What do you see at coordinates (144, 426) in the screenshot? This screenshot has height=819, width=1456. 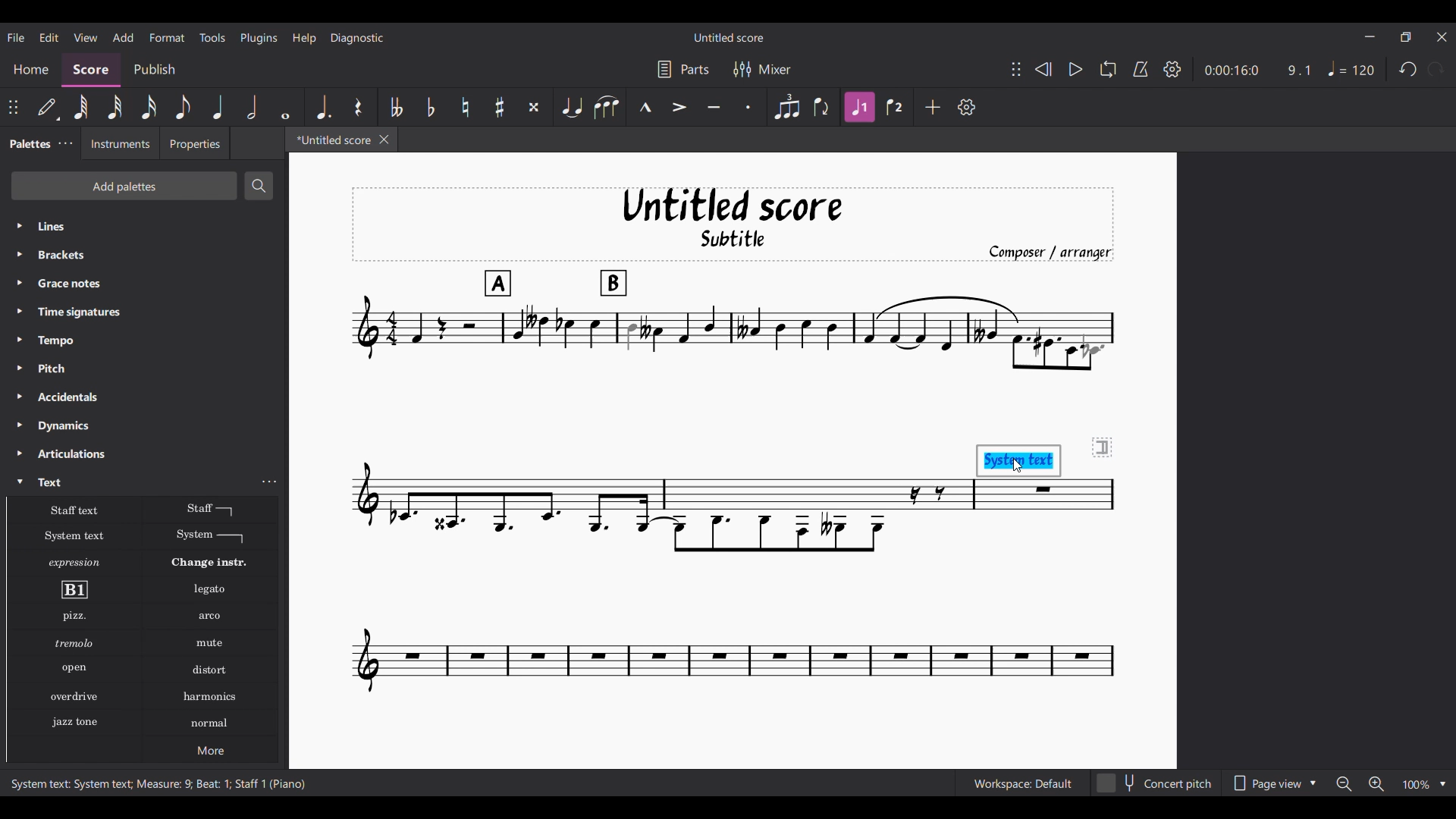 I see `Dynamics` at bounding box center [144, 426].